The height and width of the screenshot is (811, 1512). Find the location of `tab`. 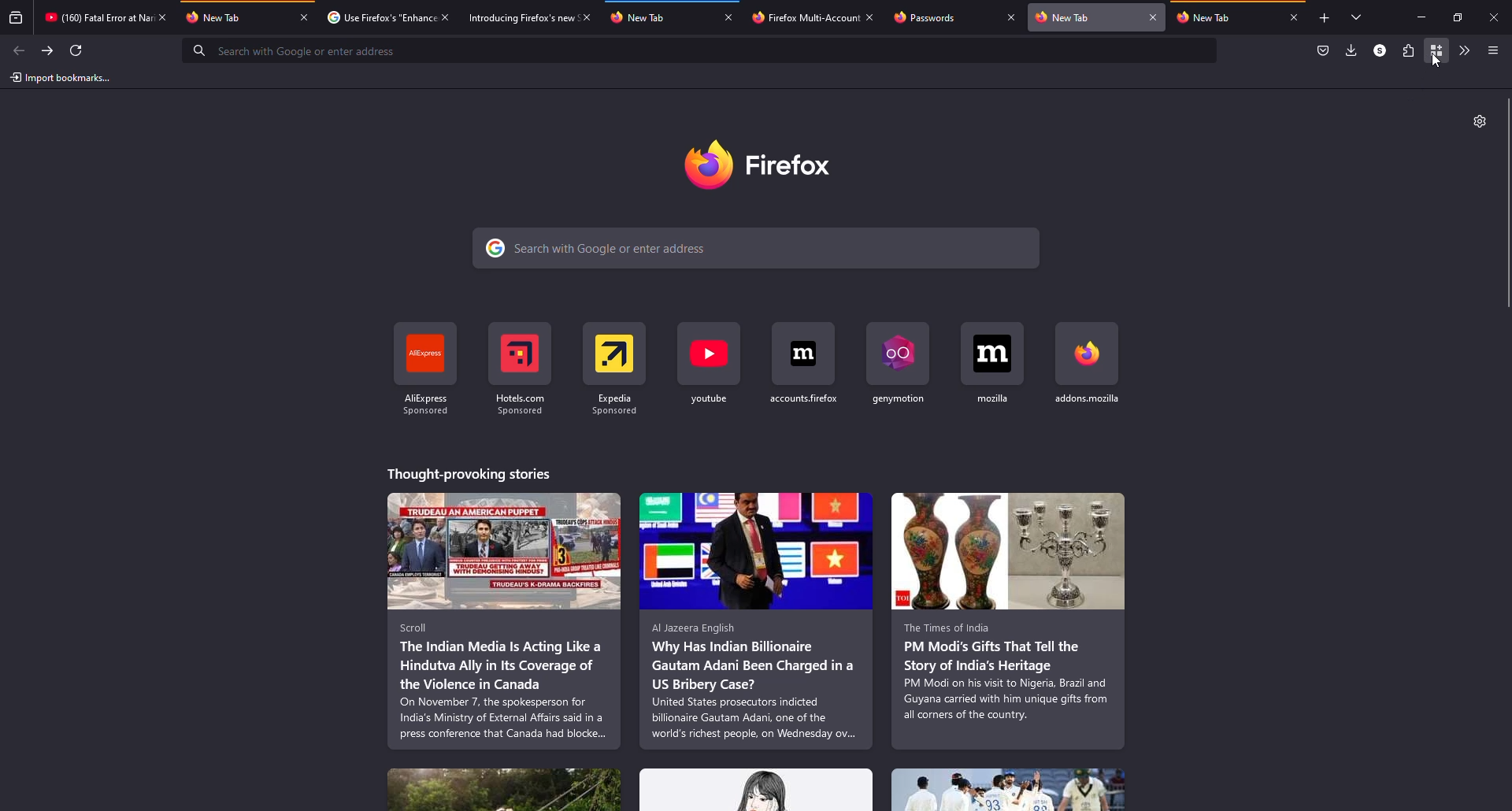

tab is located at coordinates (513, 17).